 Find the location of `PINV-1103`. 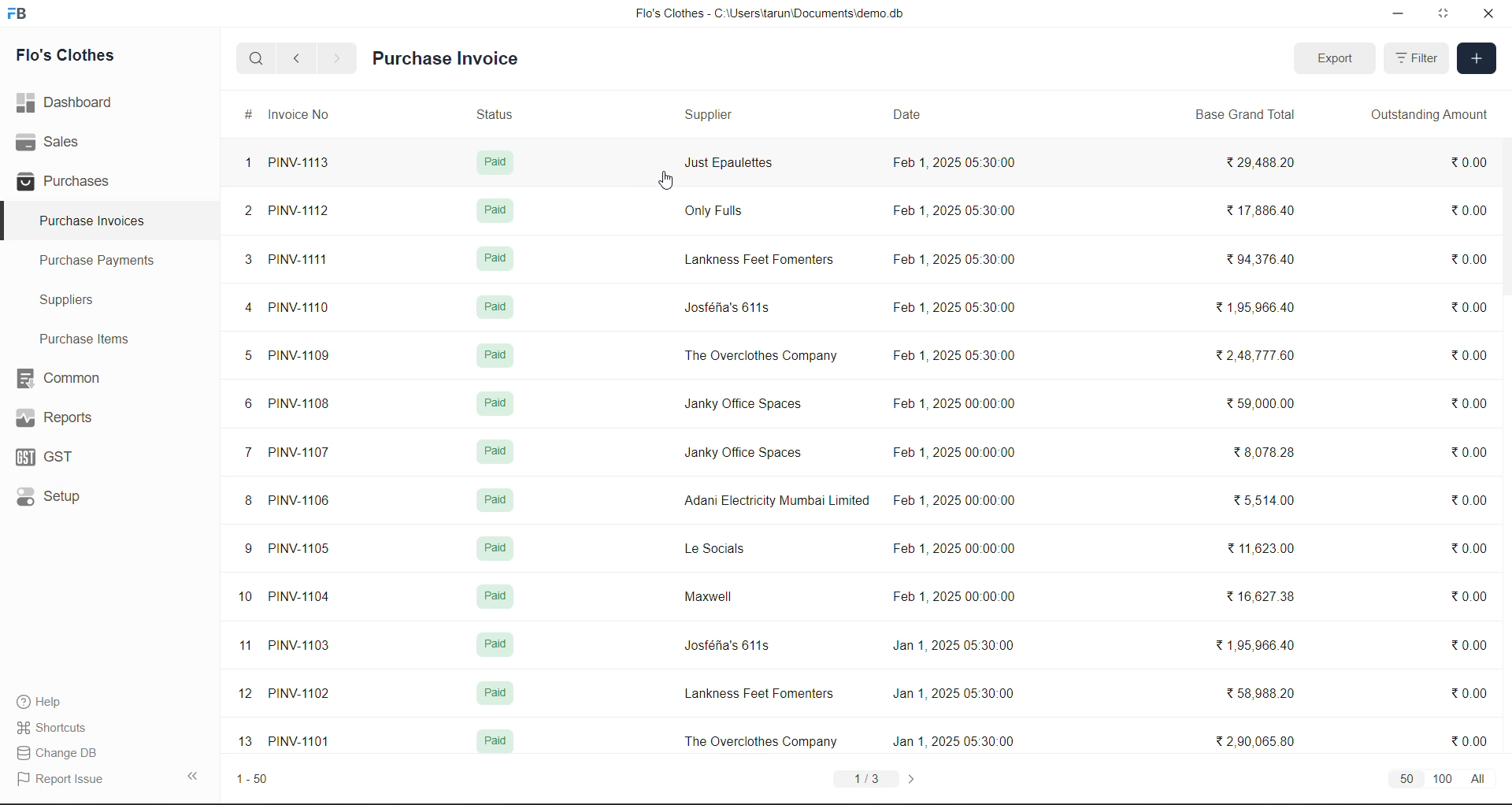

PINV-1103 is located at coordinates (302, 645).